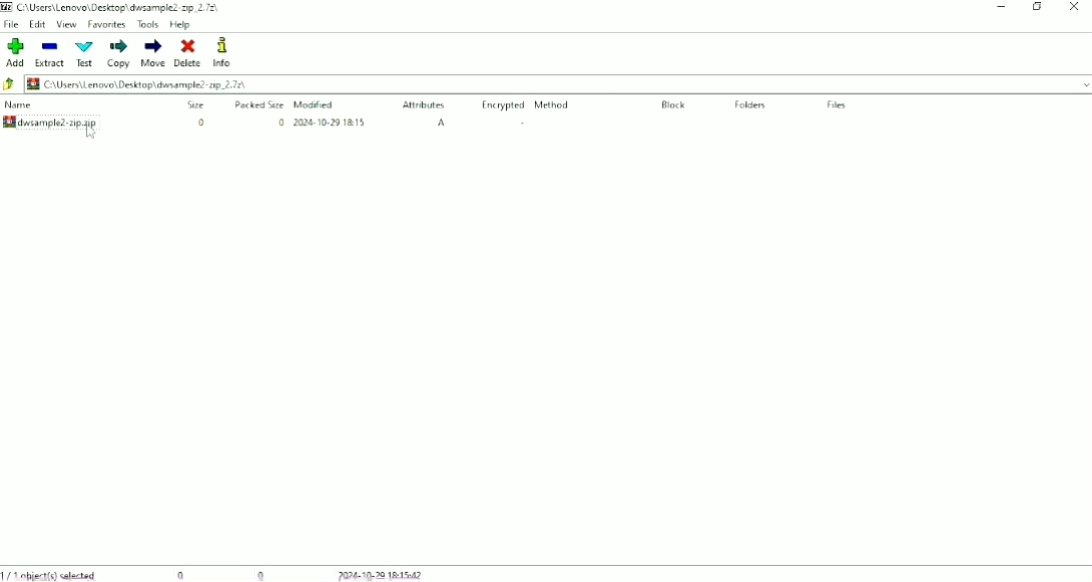  Describe the element at coordinates (837, 105) in the screenshot. I see `Files` at that location.